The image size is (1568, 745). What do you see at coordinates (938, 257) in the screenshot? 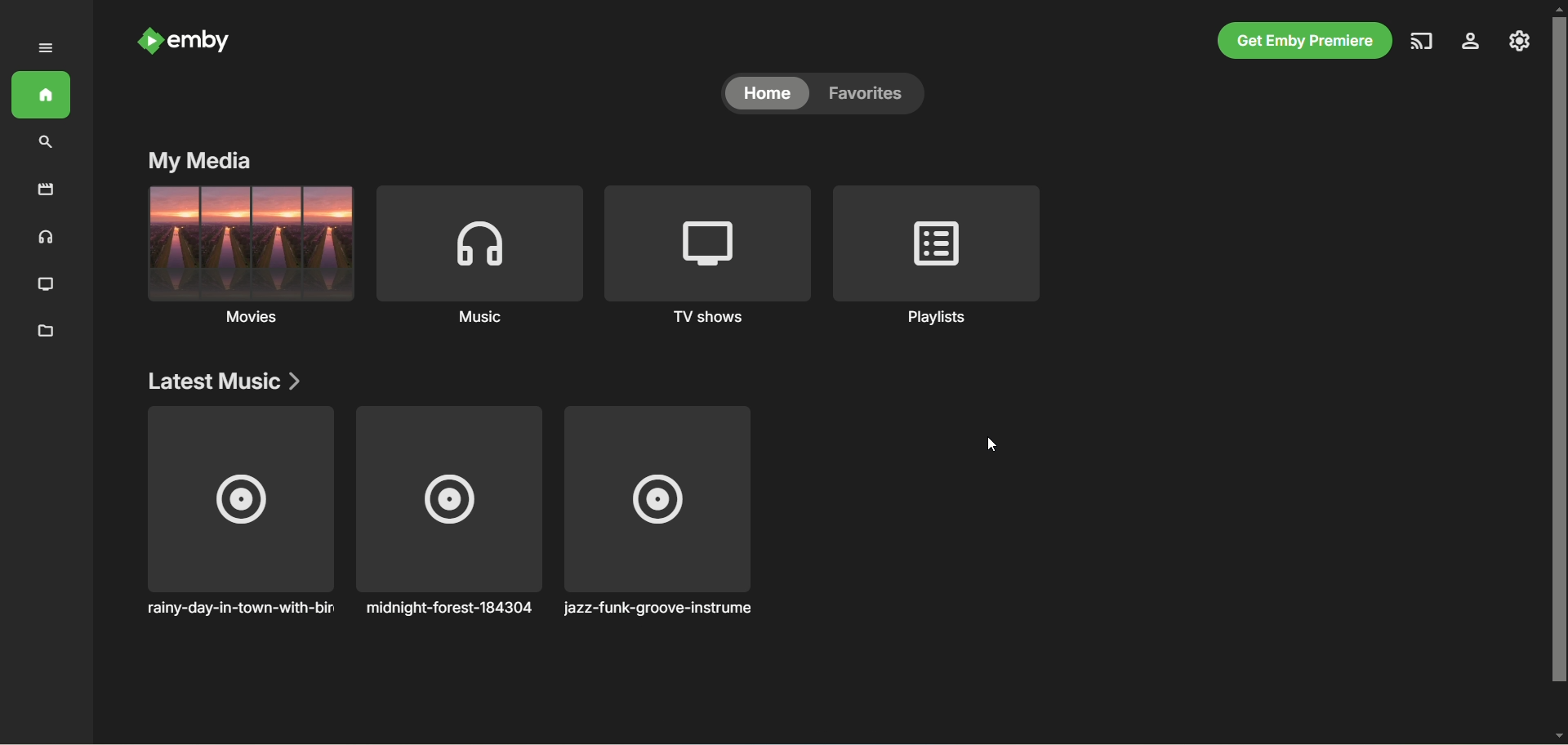
I see `playlists` at bounding box center [938, 257].